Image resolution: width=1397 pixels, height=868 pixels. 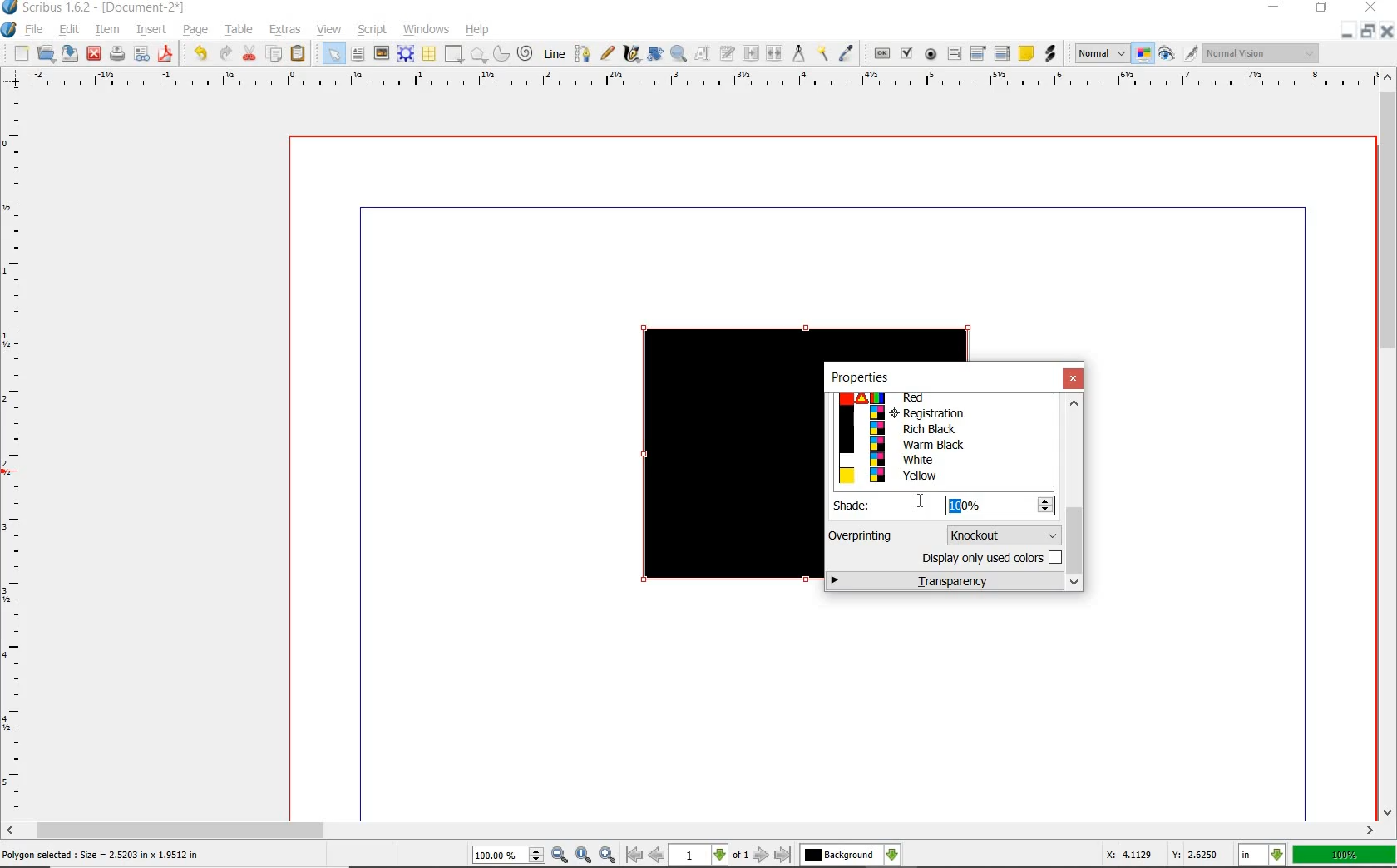 I want to click on item, so click(x=109, y=29).